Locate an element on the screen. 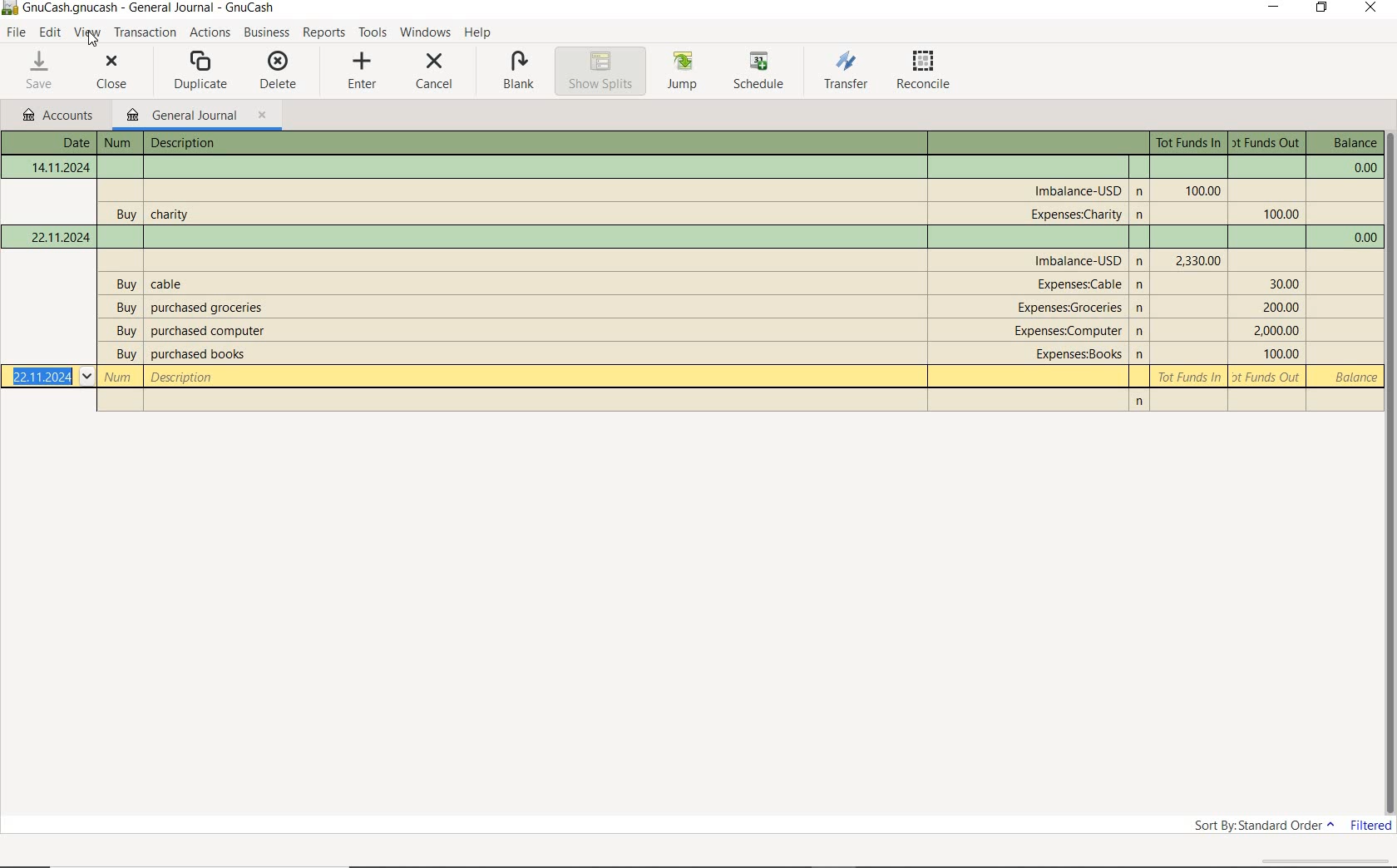 Image resolution: width=1397 pixels, height=868 pixels. ENTER is located at coordinates (363, 72).